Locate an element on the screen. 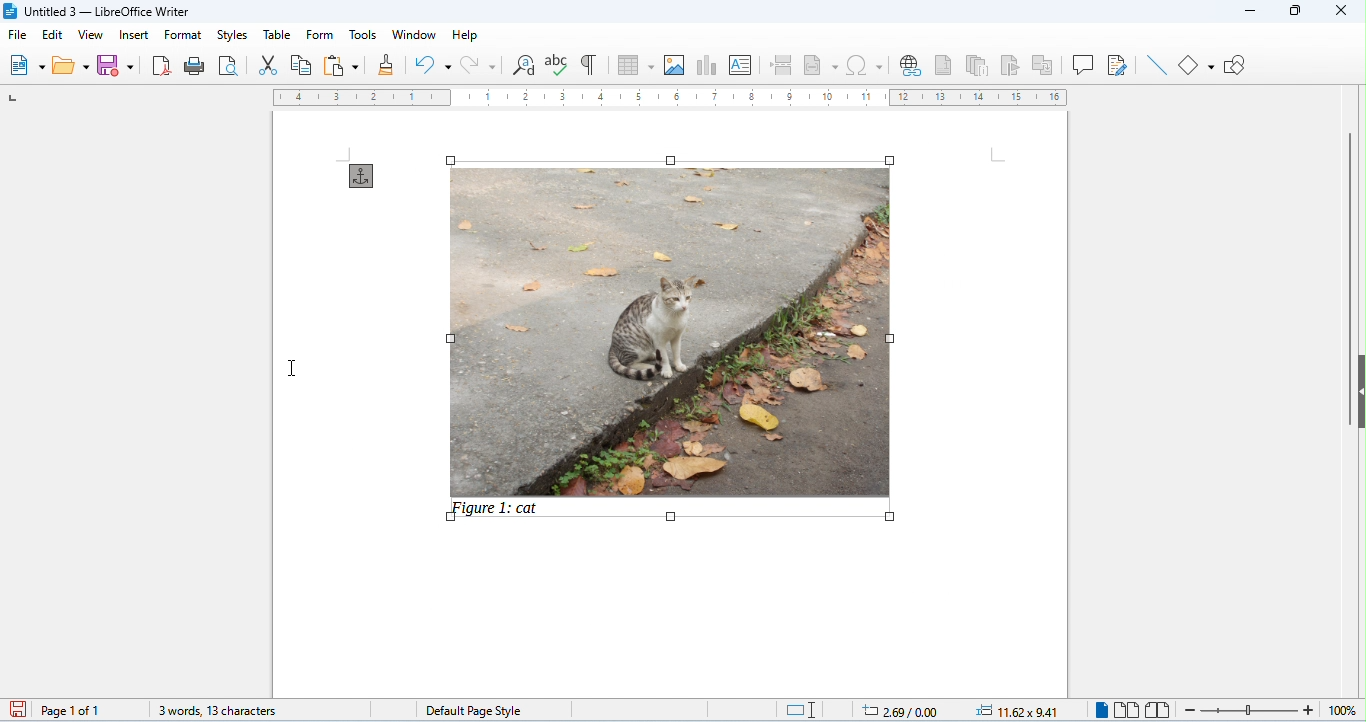  basic shapes is located at coordinates (1198, 64).